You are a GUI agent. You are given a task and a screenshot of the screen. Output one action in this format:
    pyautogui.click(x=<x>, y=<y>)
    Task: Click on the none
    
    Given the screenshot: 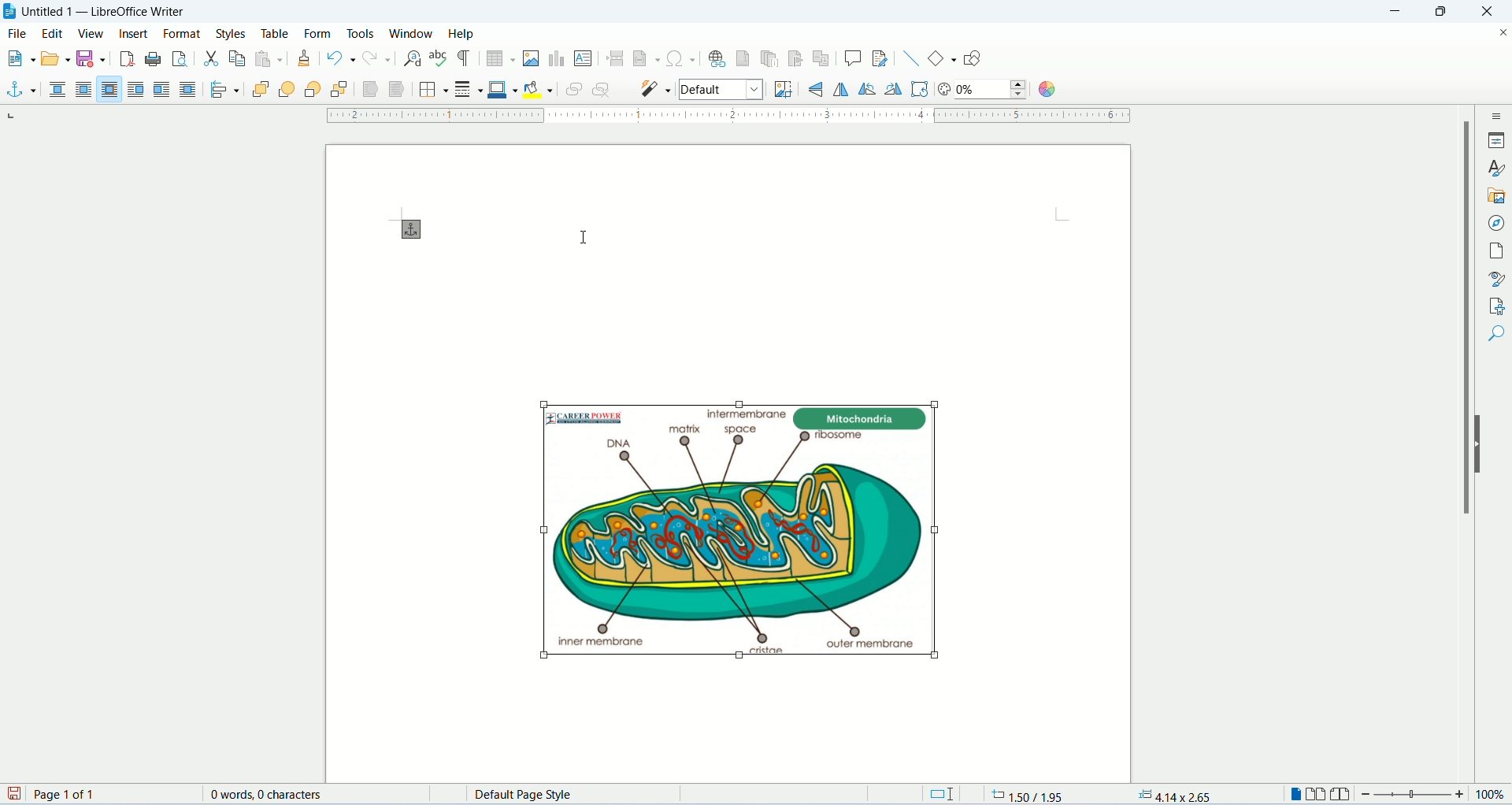 What is the action you would take?
    pyautogui.click(x=60, y=91)
    